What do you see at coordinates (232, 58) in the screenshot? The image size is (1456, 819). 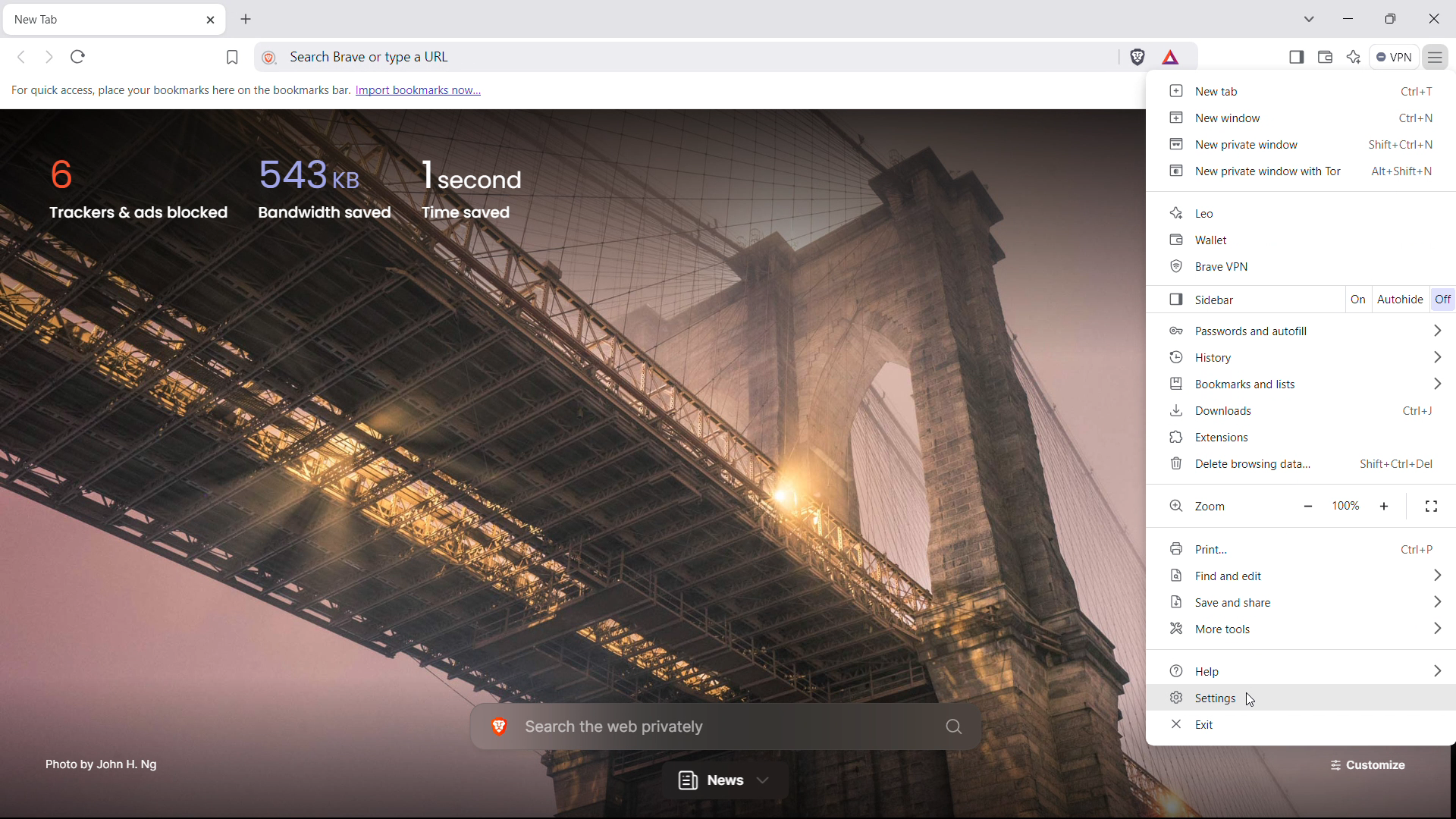 I see `bookmark this tab` at bounding box center [232, 58].